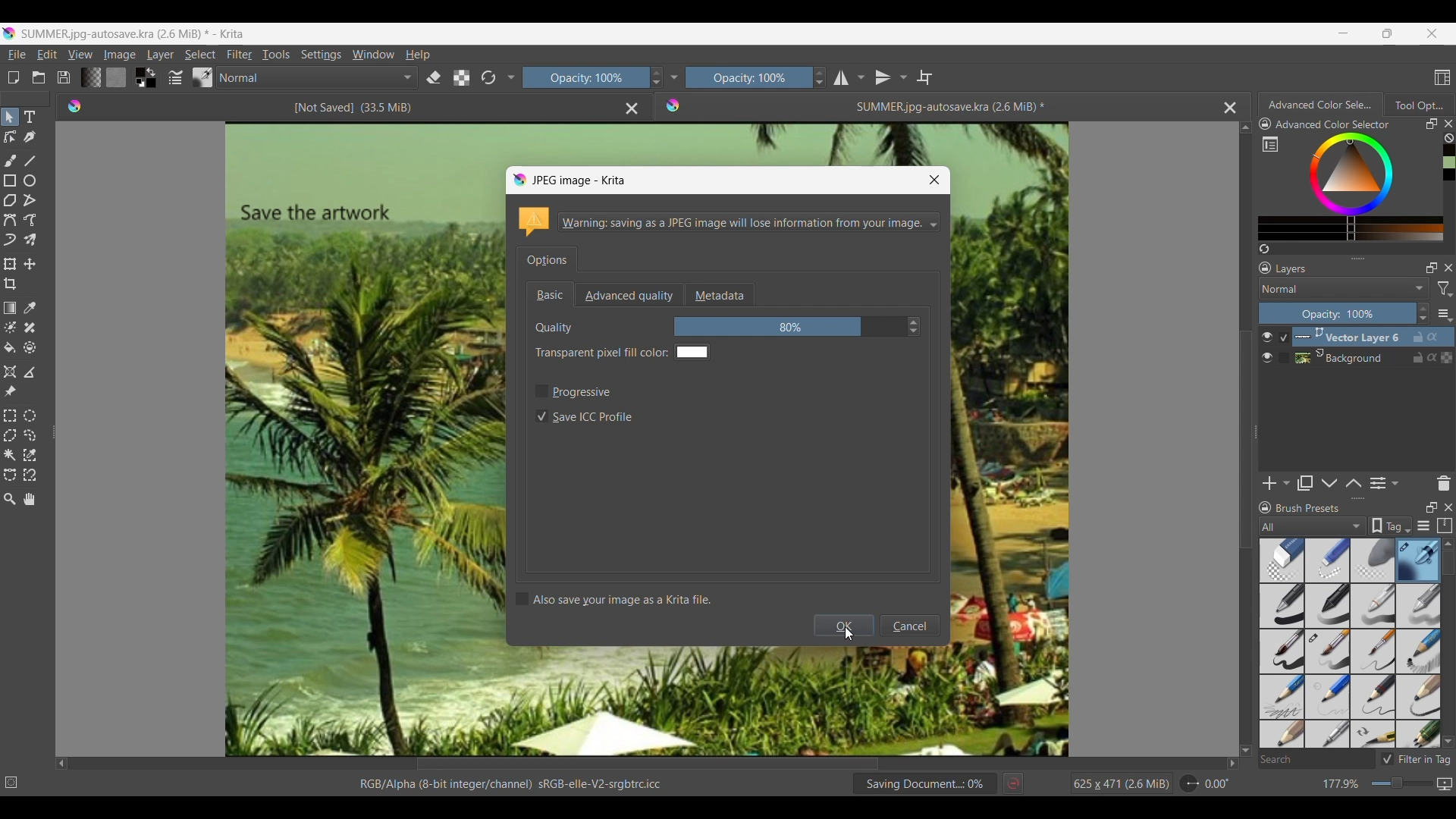  Describe the element at coordinates (1265, 124) in the screenshot. I see `Lock color panel` at that location.